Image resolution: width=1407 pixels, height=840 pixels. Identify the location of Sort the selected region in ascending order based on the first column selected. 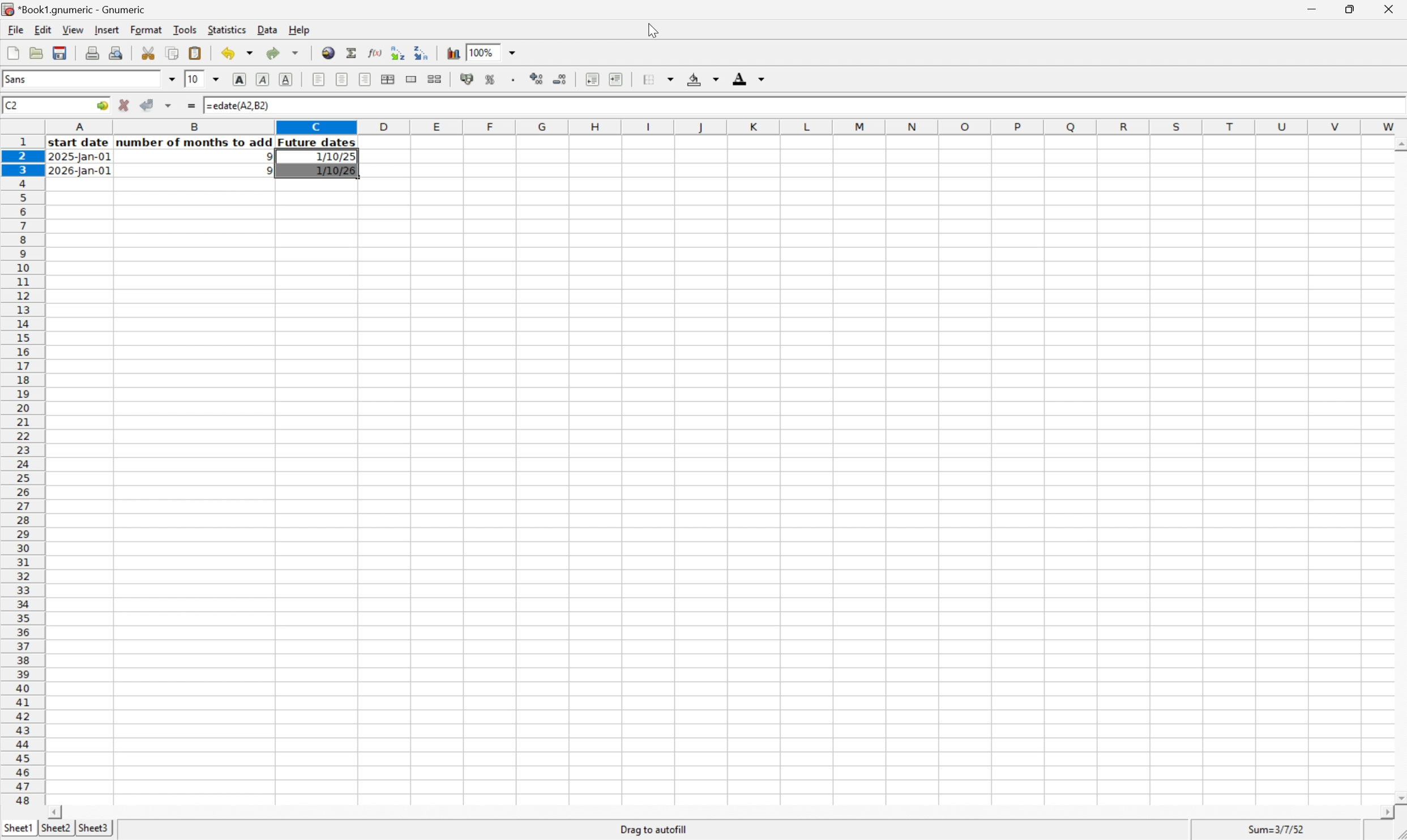
(397, 52).